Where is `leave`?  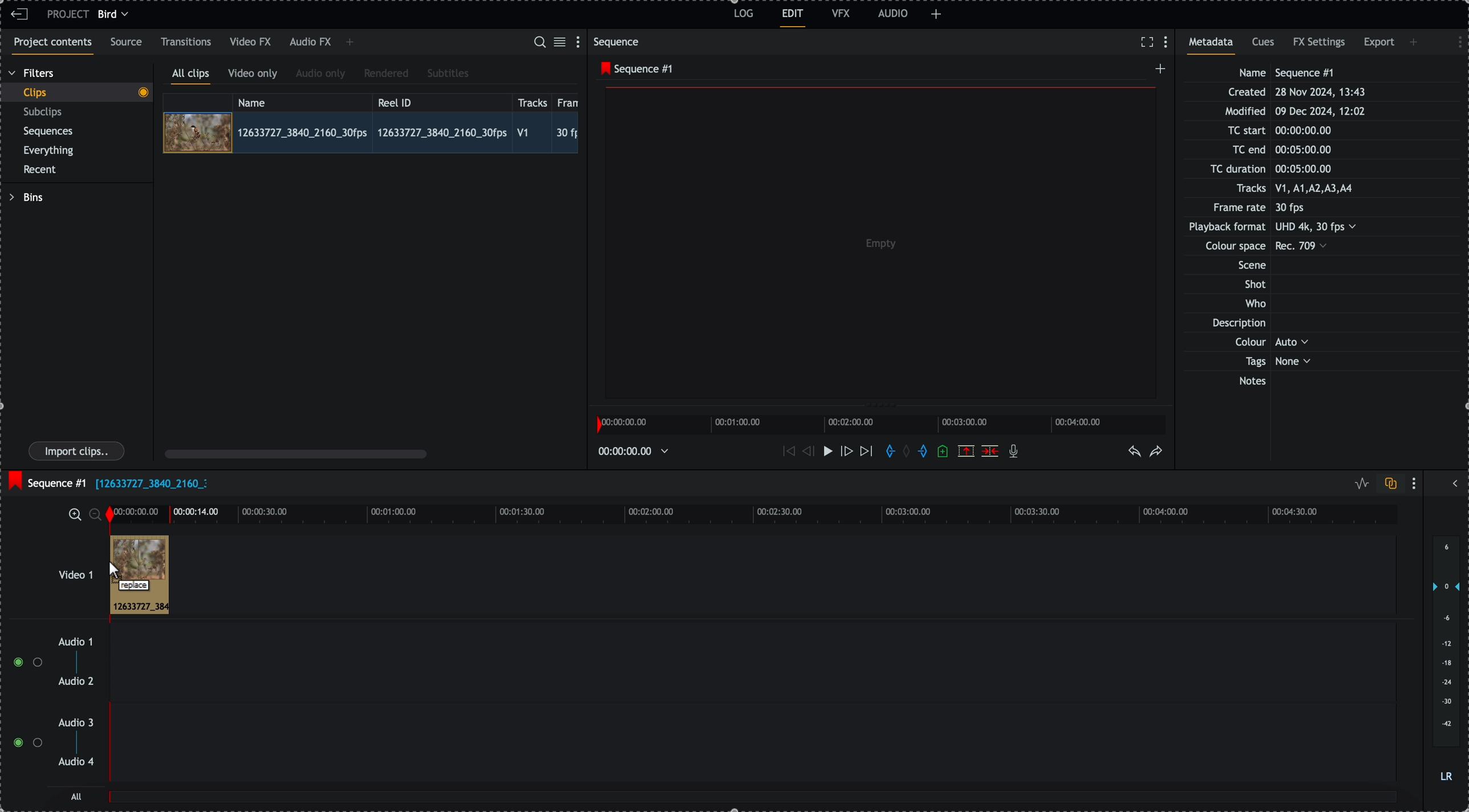
leave is located at coordinates (19, 15).